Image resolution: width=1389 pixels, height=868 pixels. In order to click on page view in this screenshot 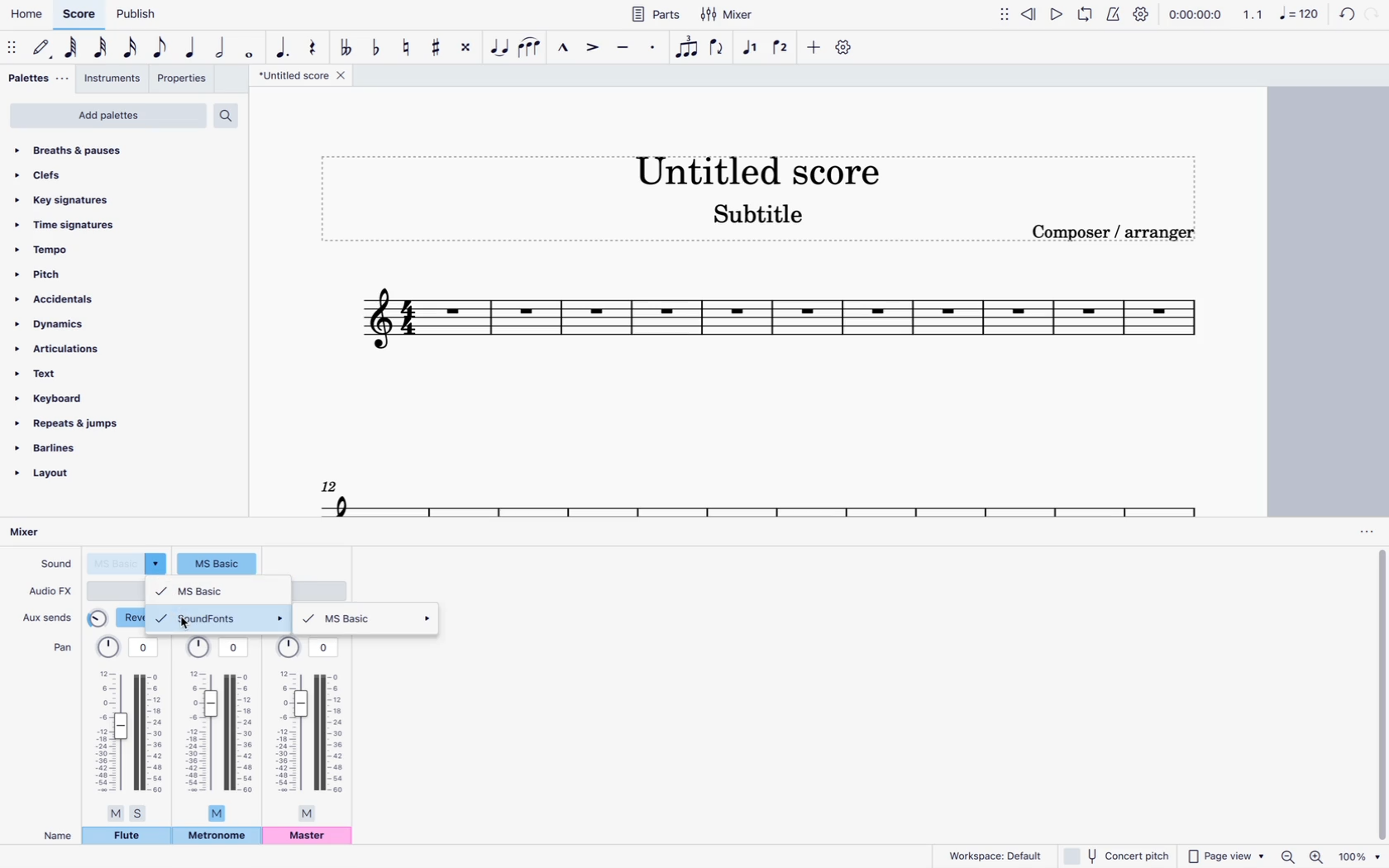, I will do `click(1225, 853)`.